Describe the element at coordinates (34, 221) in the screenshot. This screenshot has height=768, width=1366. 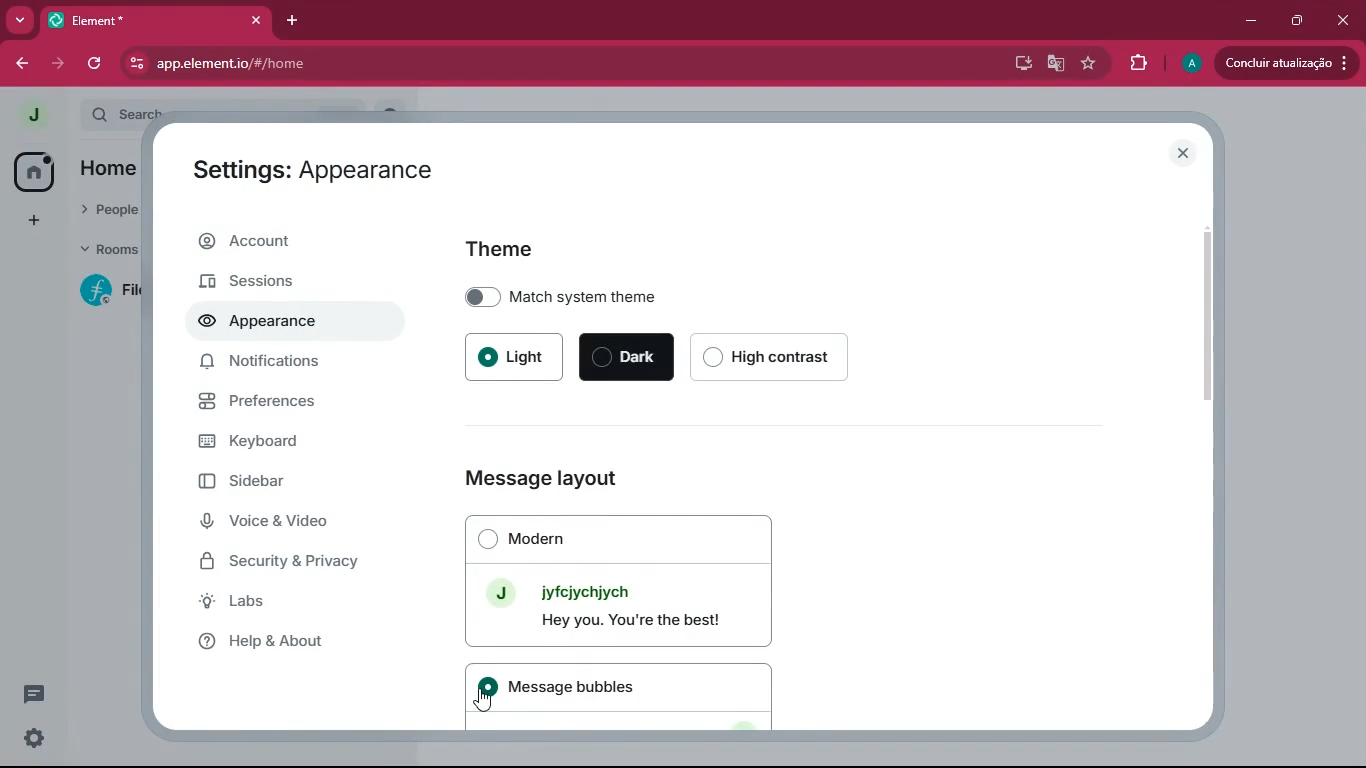
I see `add` at that location.